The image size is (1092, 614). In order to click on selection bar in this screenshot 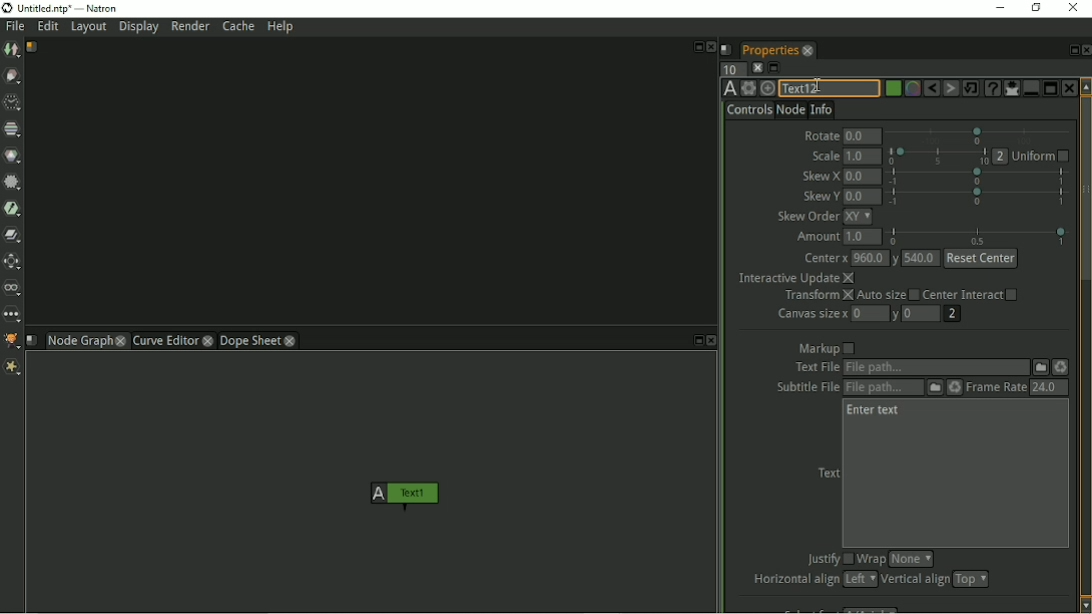, I will do `click(938, 156)`.